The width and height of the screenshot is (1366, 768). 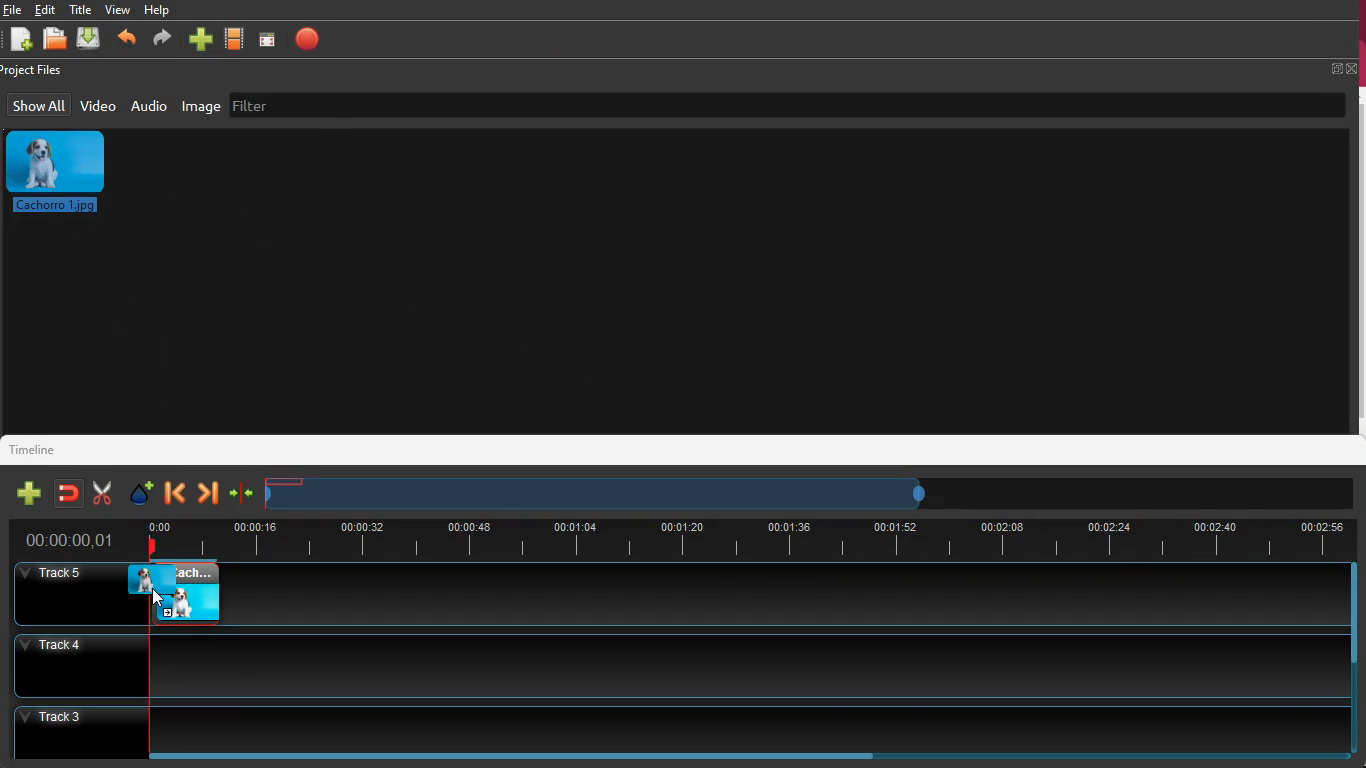 What do you see at coordinates (55, 39) in the screenshot?
I see `open files` at bounding box center [55, 39].